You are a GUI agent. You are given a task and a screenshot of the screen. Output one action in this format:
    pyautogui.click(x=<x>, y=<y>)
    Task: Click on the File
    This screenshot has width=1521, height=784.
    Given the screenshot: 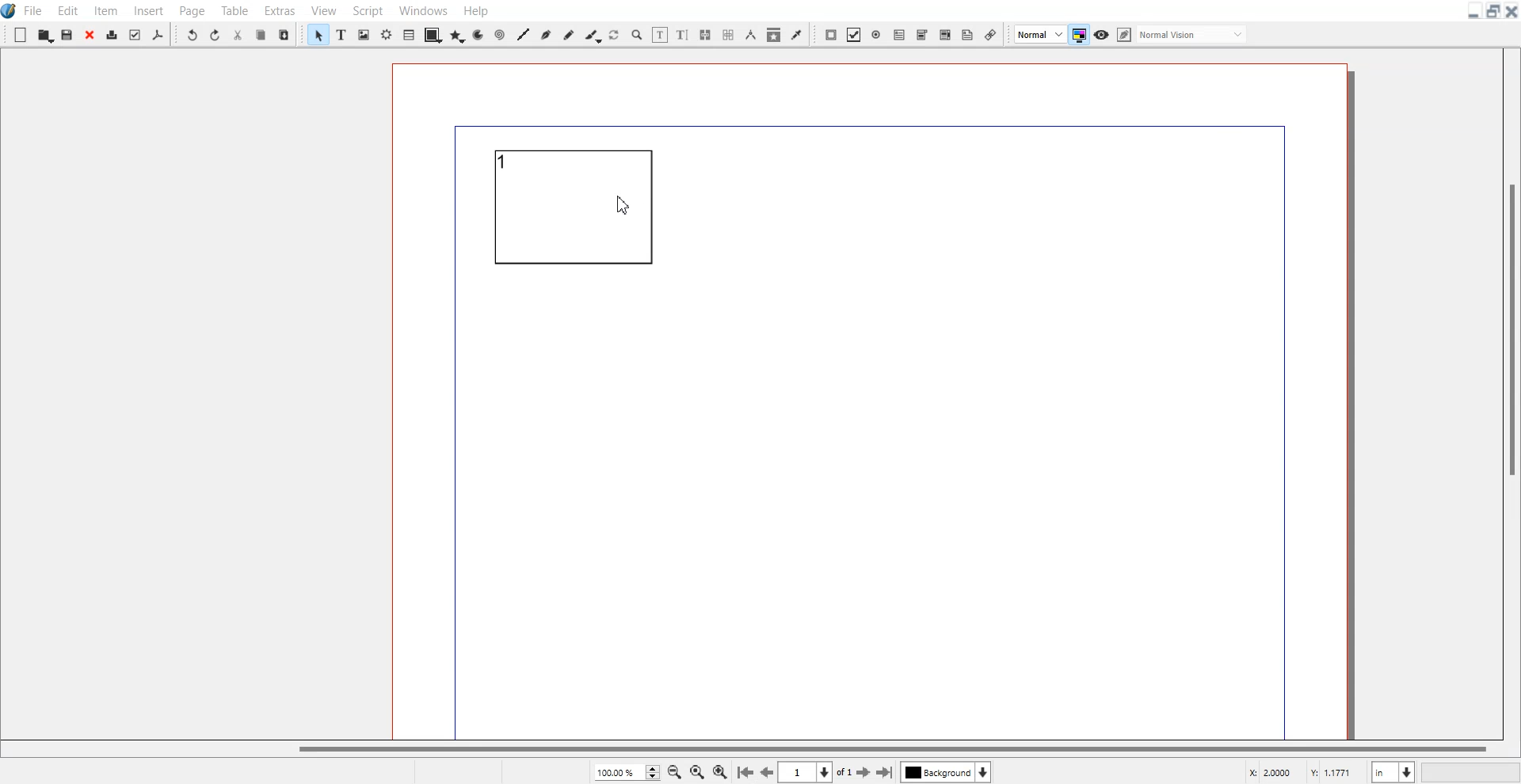 What is the action you would take?
    pyautogui.click(x=34, y=10)
    